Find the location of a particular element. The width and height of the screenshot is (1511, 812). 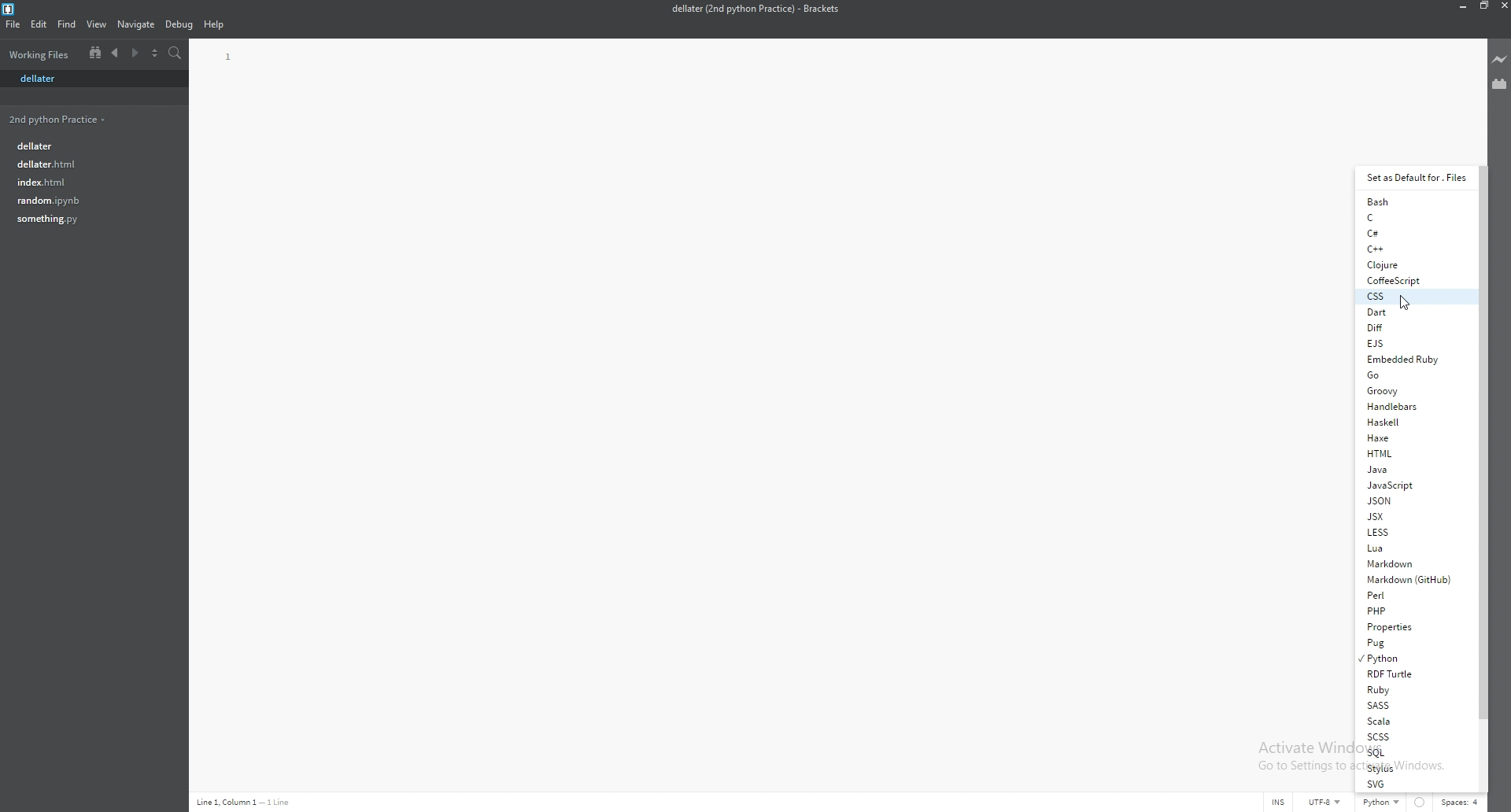

extension manager is located at coordinates (1500, 83).